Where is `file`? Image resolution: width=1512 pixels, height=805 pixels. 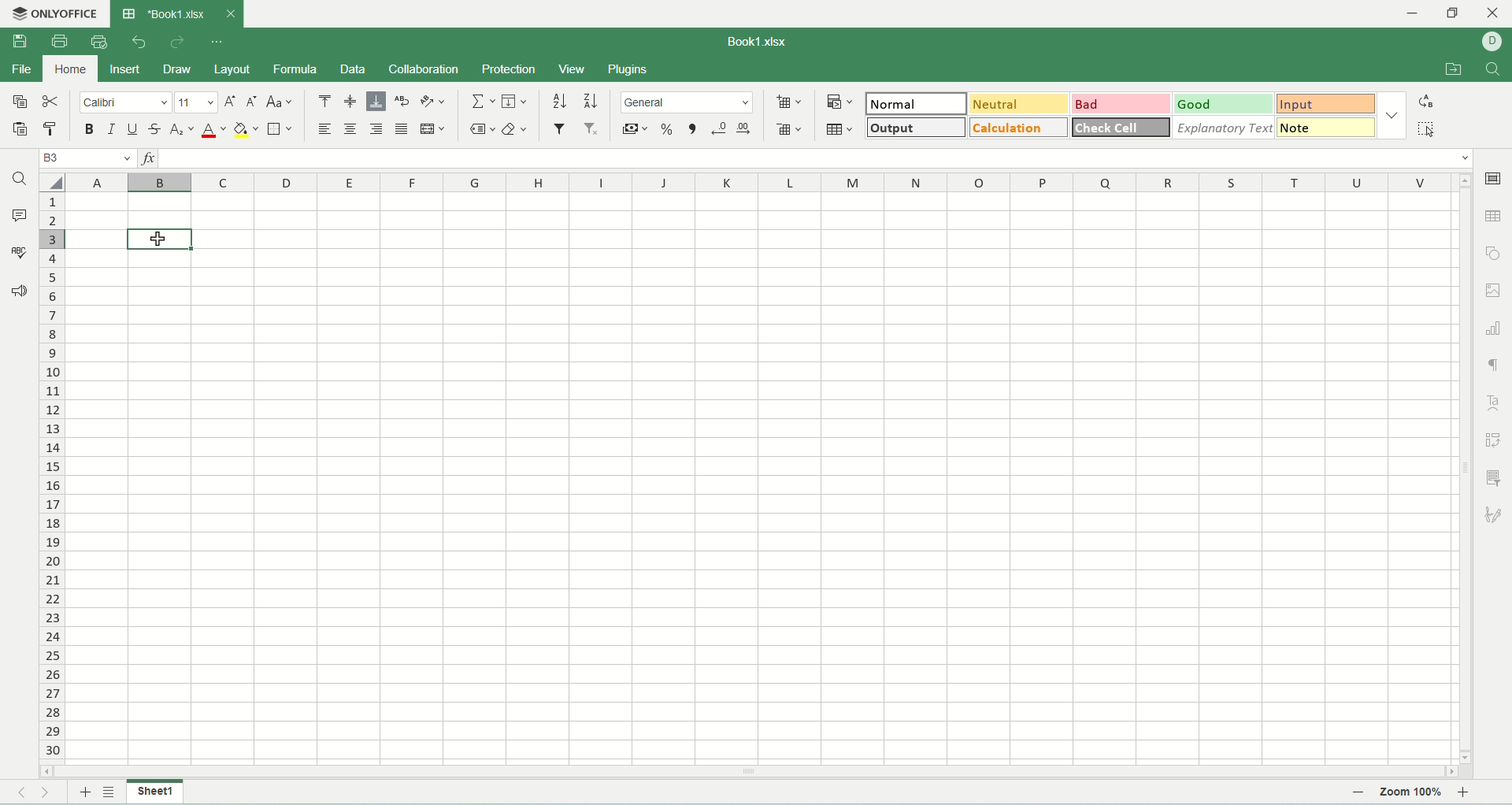
file is located at coordinates (20, 70).